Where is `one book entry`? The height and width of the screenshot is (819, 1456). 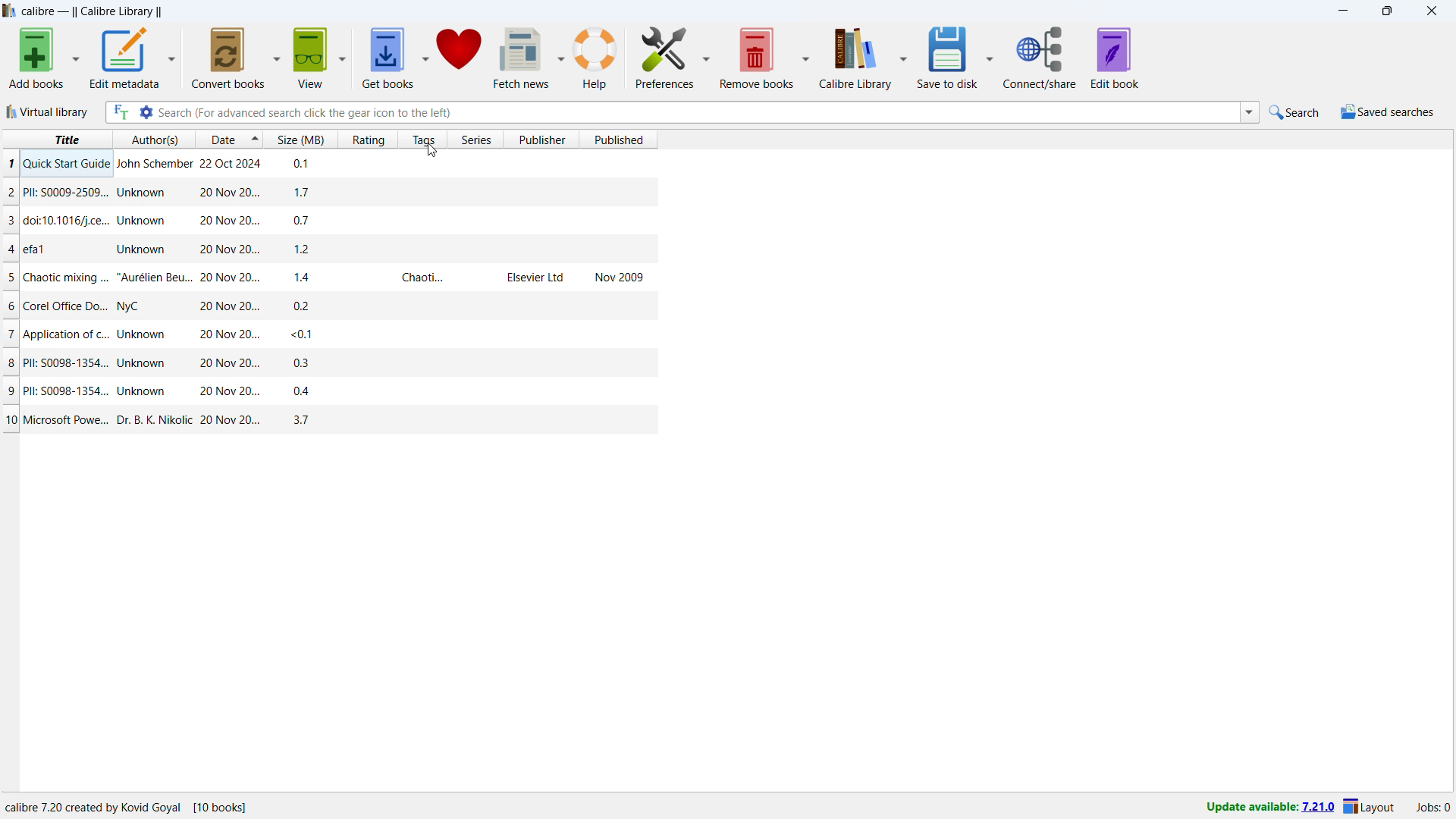
one book entry is located at coordinates (324, 249).